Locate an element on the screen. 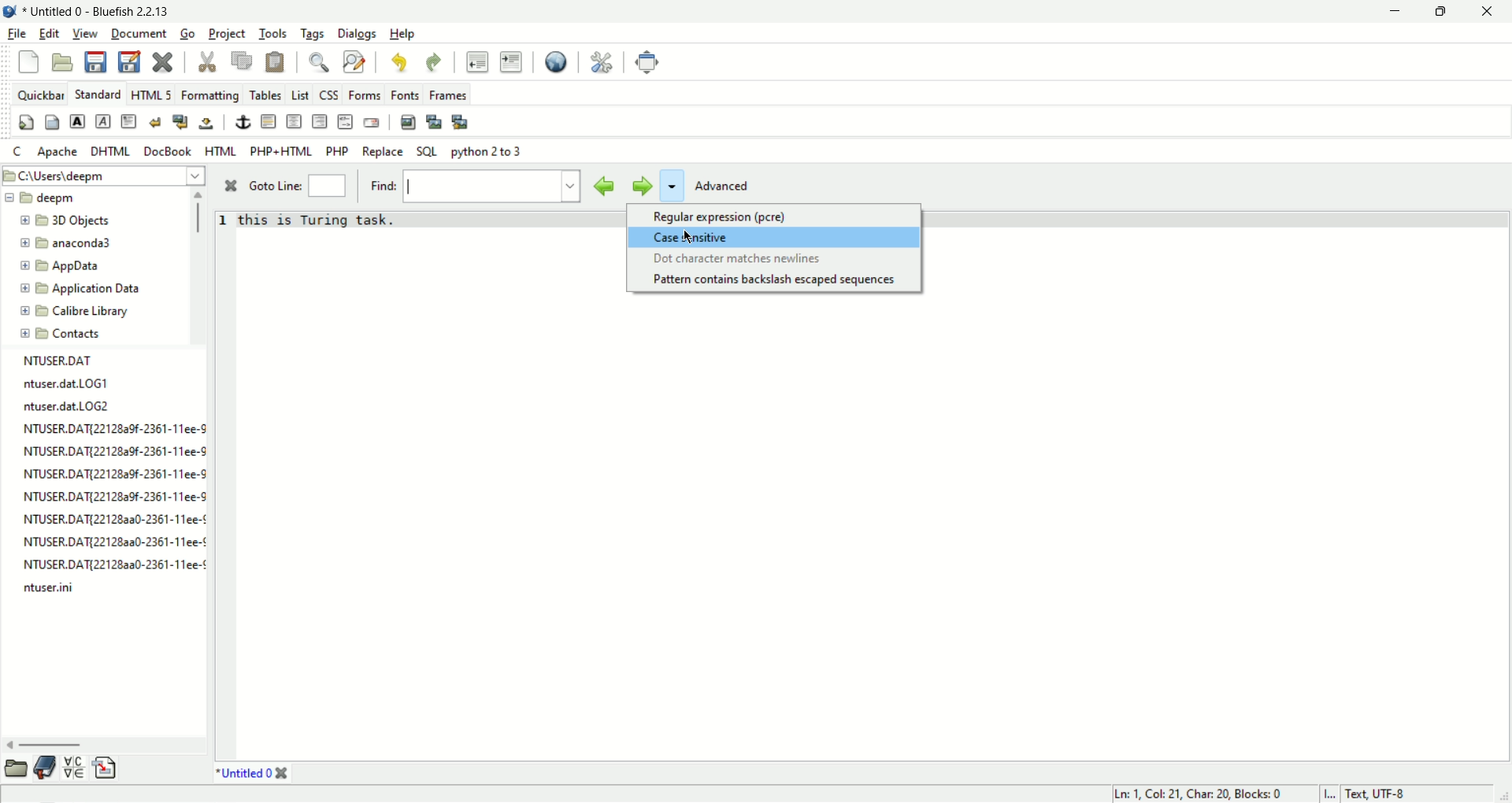  NTUSER.DAT{22128a3a0-2361-11ee-¢ is located at coordinates (108, 542).